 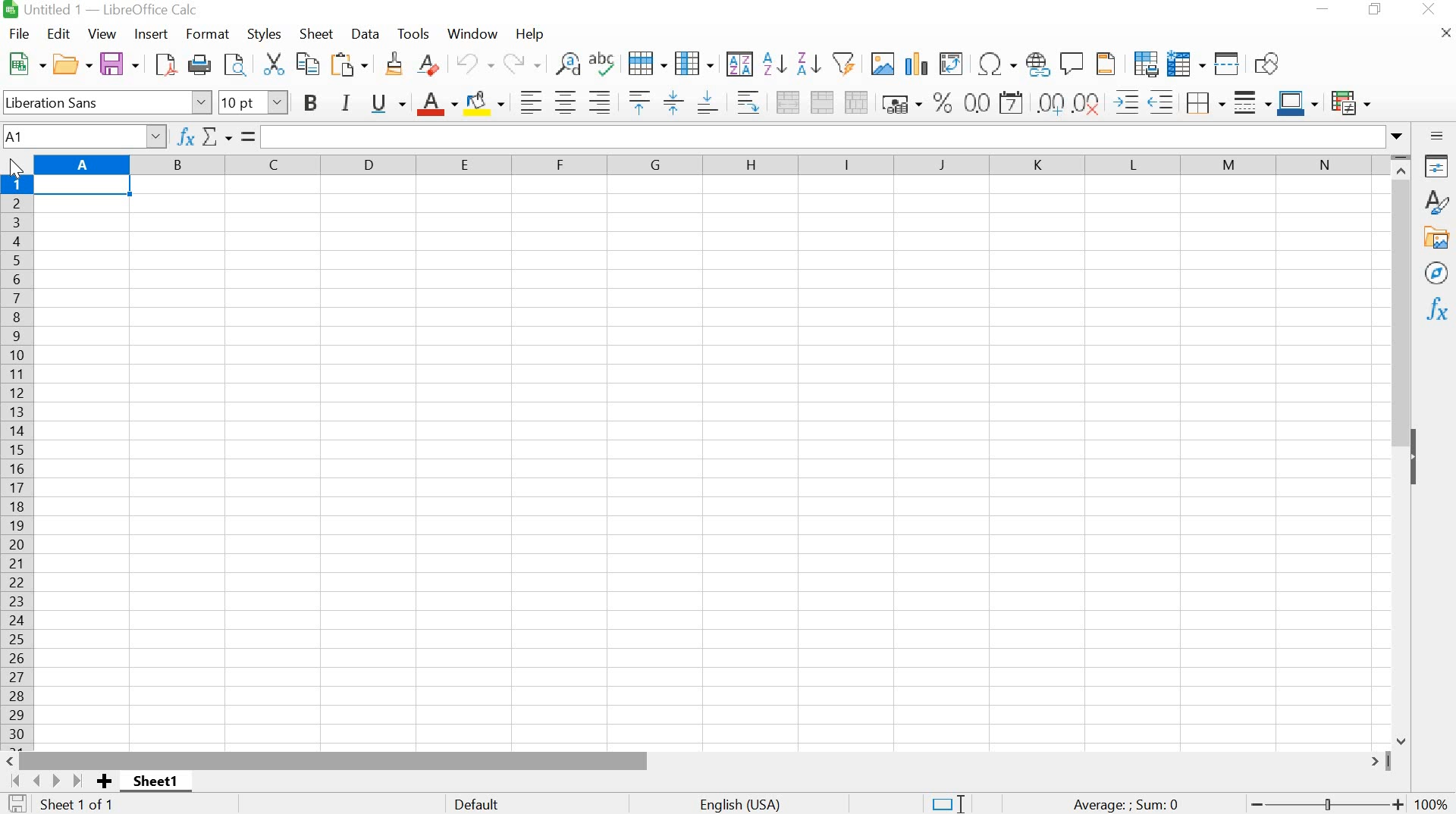 What do you see at coordinates (44, 781) in the screenshot?
I see `Scroll to next sheet` at bounding box center [44, 781].